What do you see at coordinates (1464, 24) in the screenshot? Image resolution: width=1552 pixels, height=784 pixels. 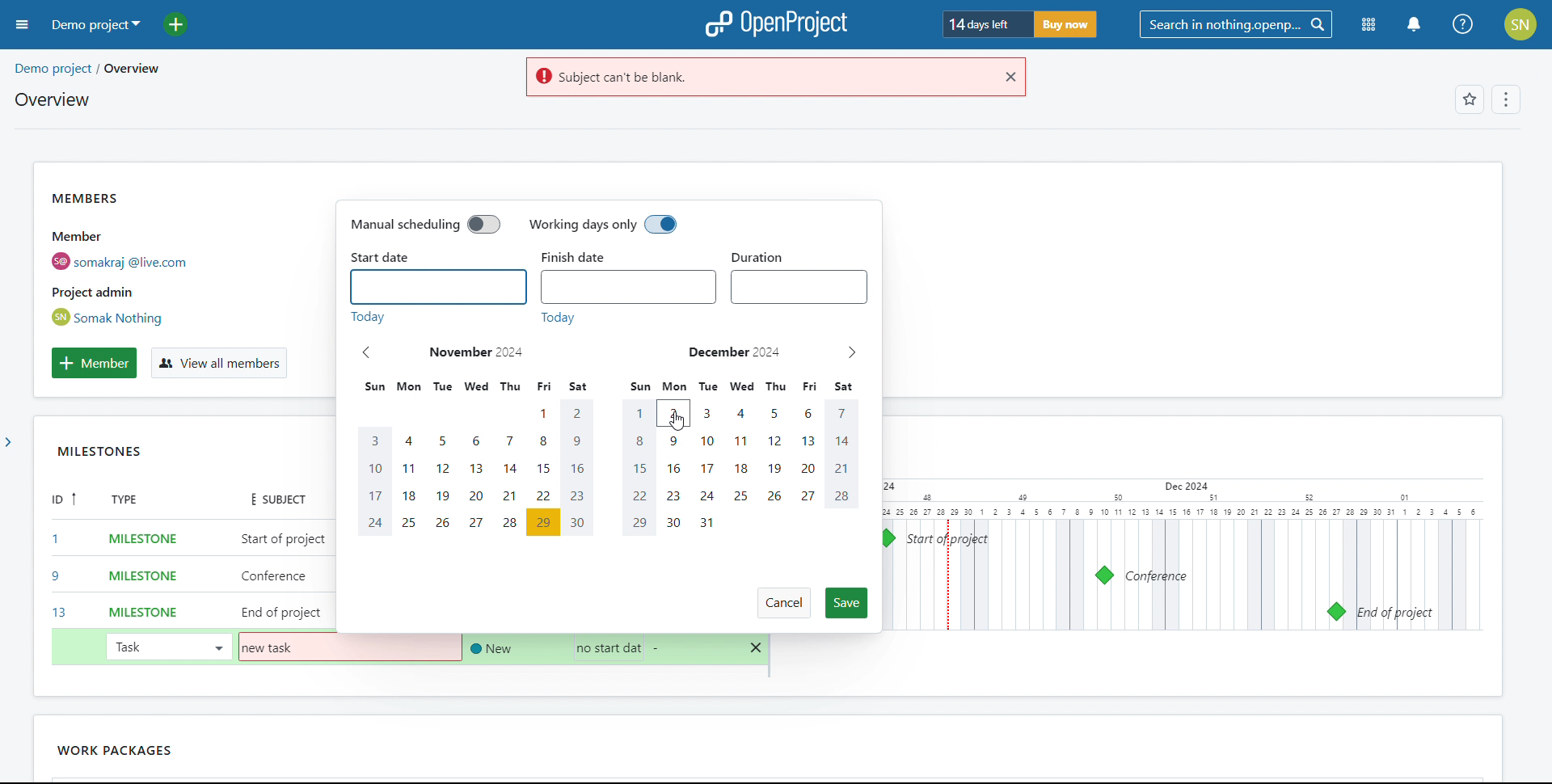 I see `help` at bounding box center [1464, 24].